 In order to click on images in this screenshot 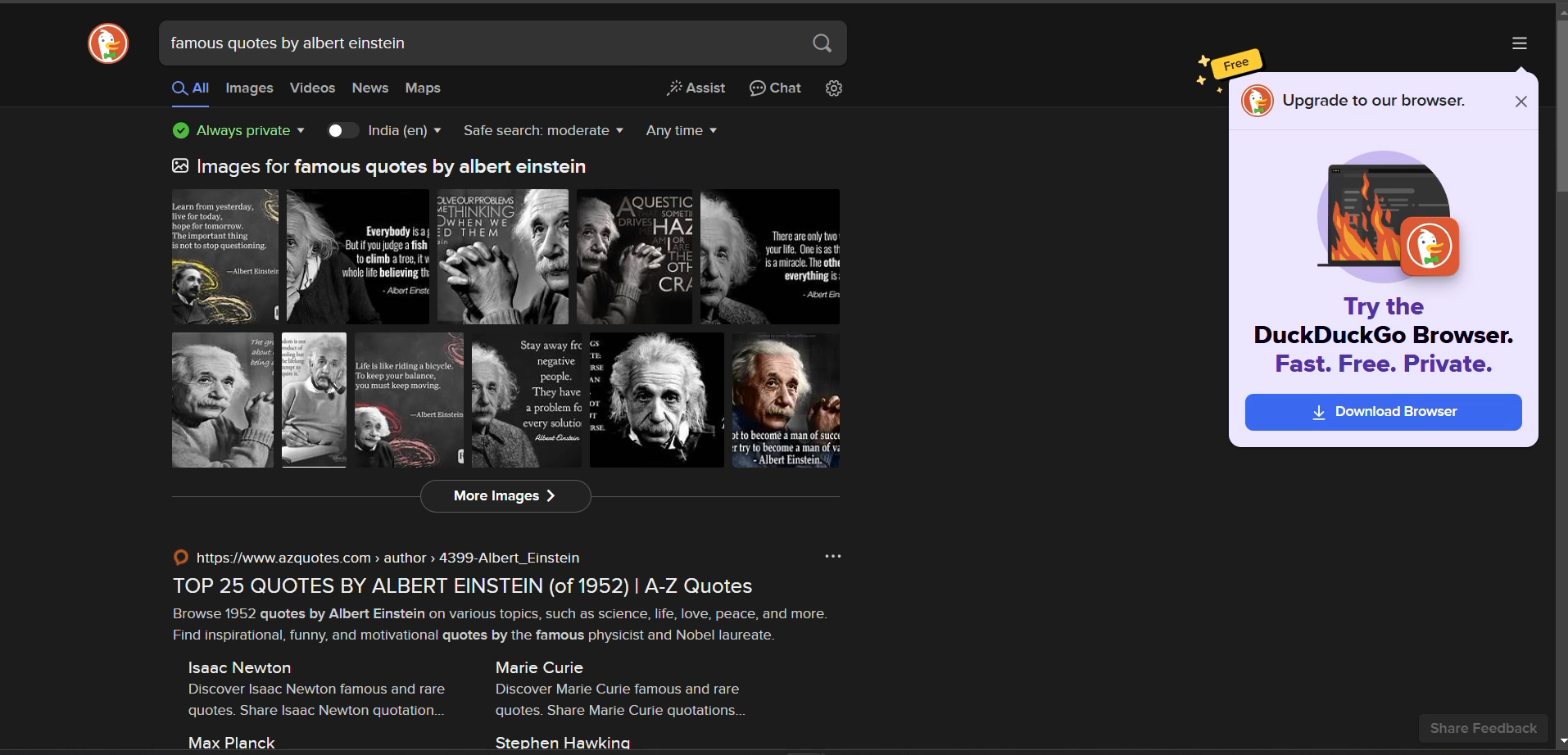, I will do `click(252, 90)`.